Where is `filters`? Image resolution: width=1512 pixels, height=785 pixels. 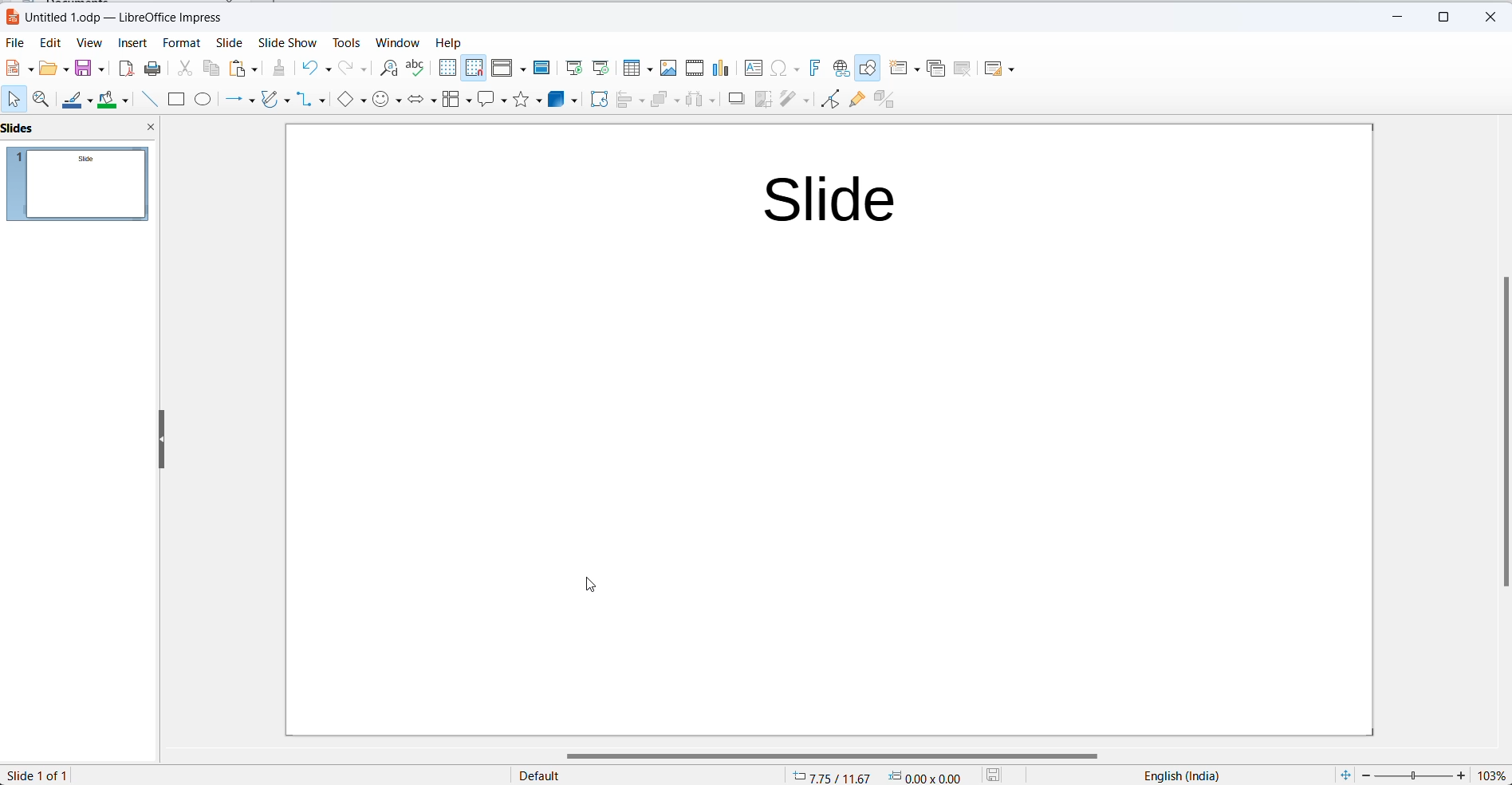
filters is located at coordinates (796, 101).